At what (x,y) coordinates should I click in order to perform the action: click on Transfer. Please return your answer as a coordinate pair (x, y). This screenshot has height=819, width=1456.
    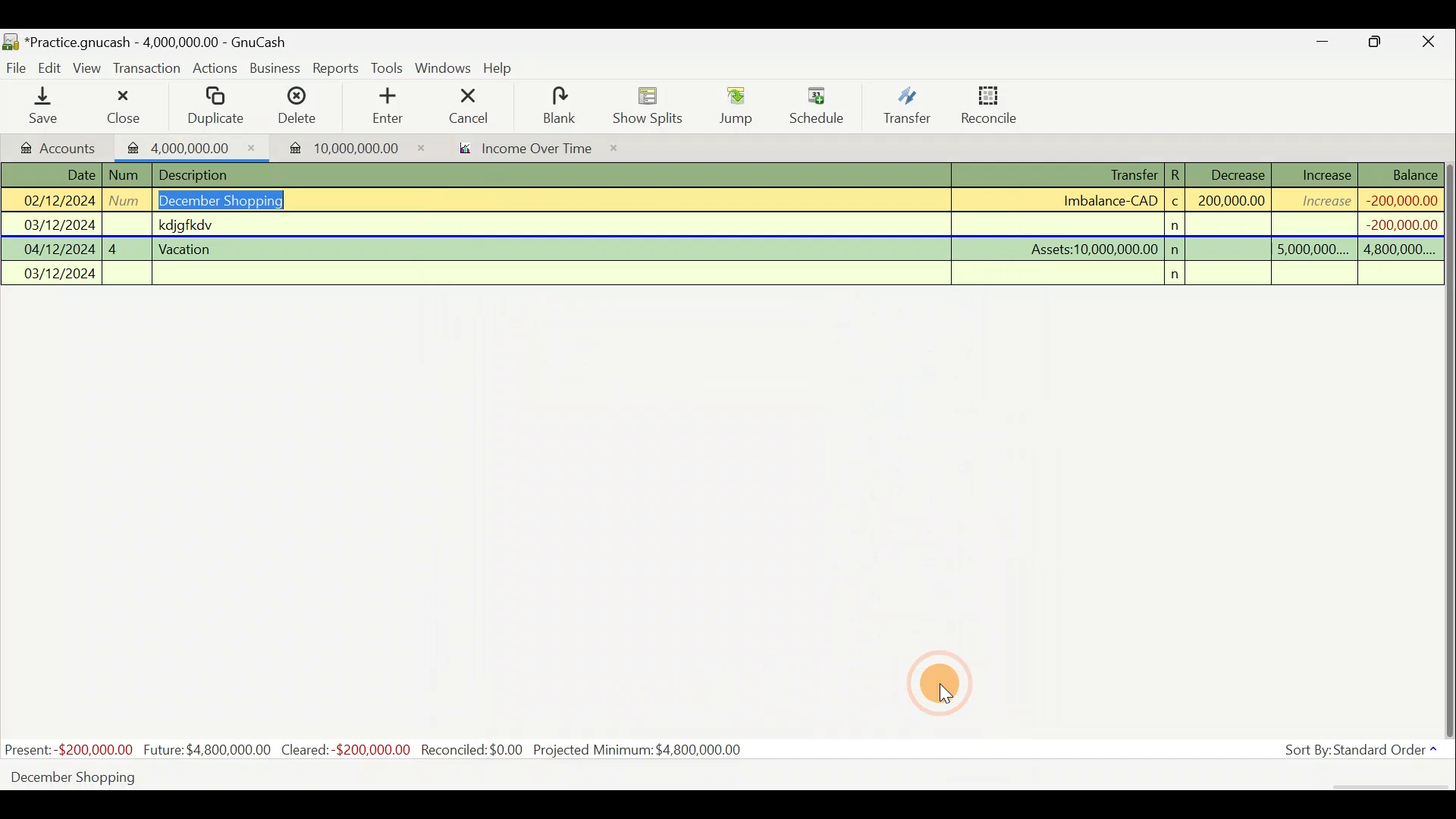
    Looking at the image, I should click on (907, 105).